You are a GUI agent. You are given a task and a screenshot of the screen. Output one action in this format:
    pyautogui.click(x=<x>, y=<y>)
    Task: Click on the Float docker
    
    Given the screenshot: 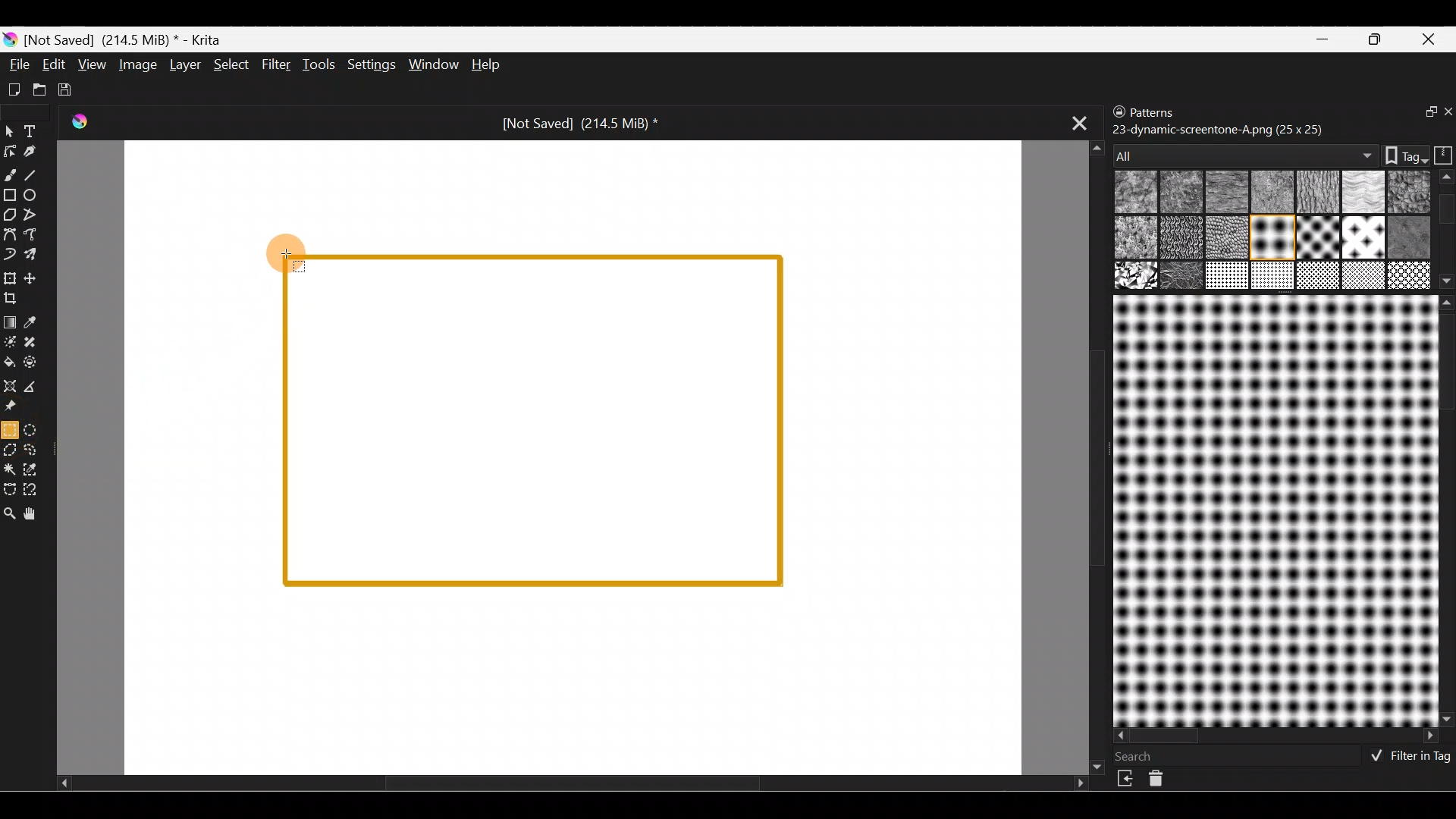 What is the action you would take?
    pyautogui.click(x=1421, y=113)
    